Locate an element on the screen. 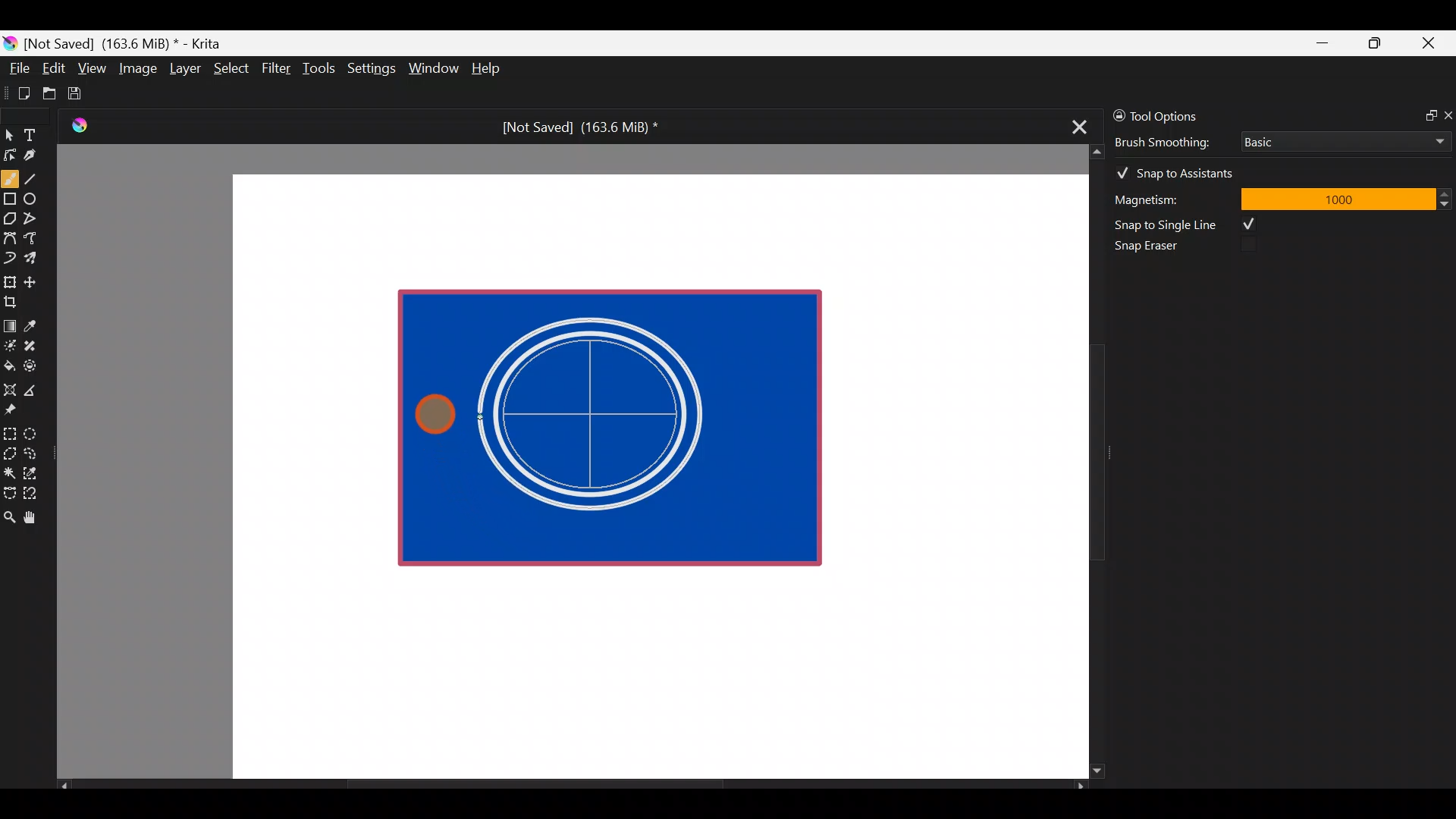  Smart patch tool is located at coordinates (35, 345).